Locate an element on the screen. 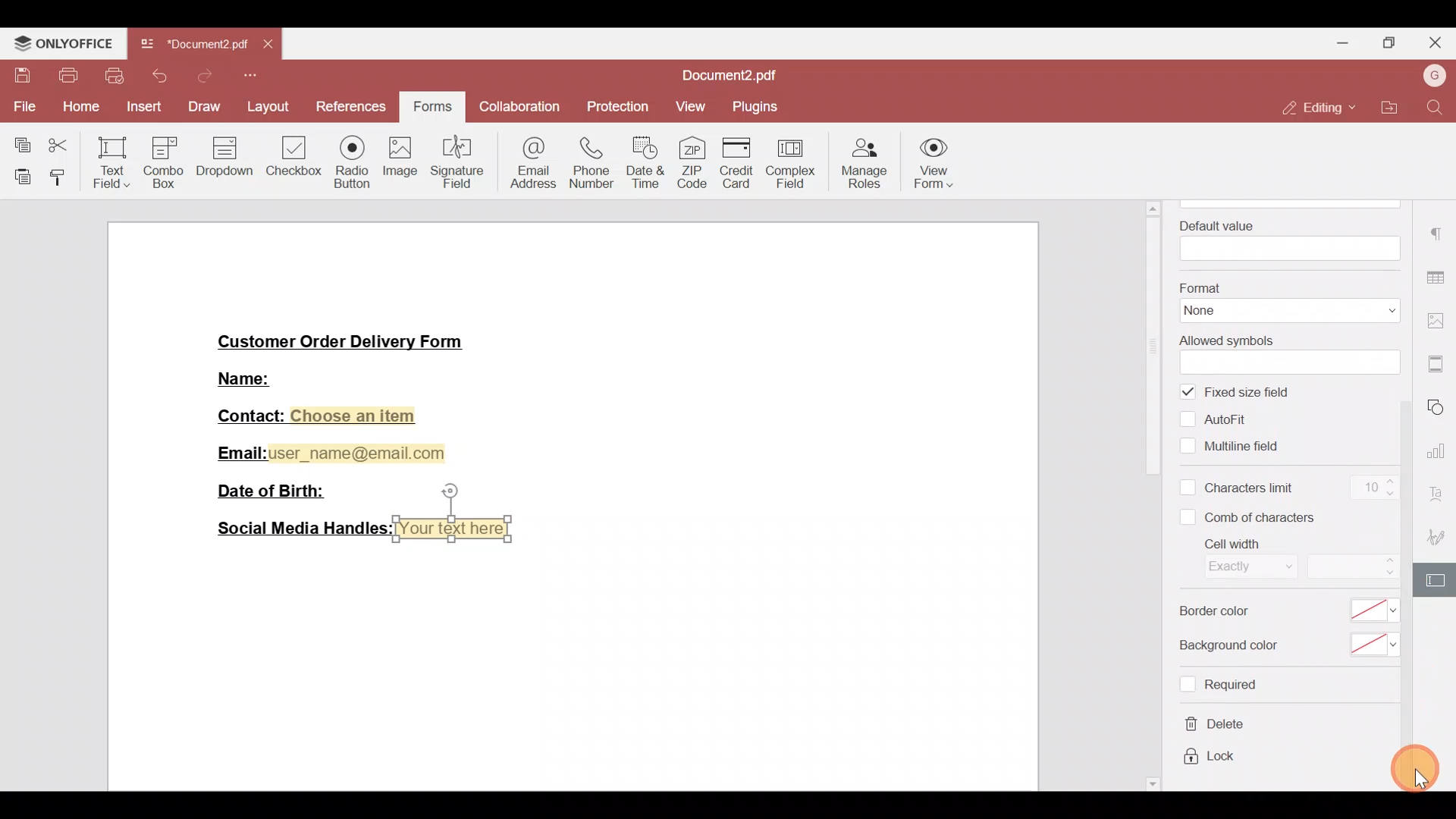 Image resolution: width=1456 pixels, height=819 pixels. Phone number is located at coordinates (586, 163).